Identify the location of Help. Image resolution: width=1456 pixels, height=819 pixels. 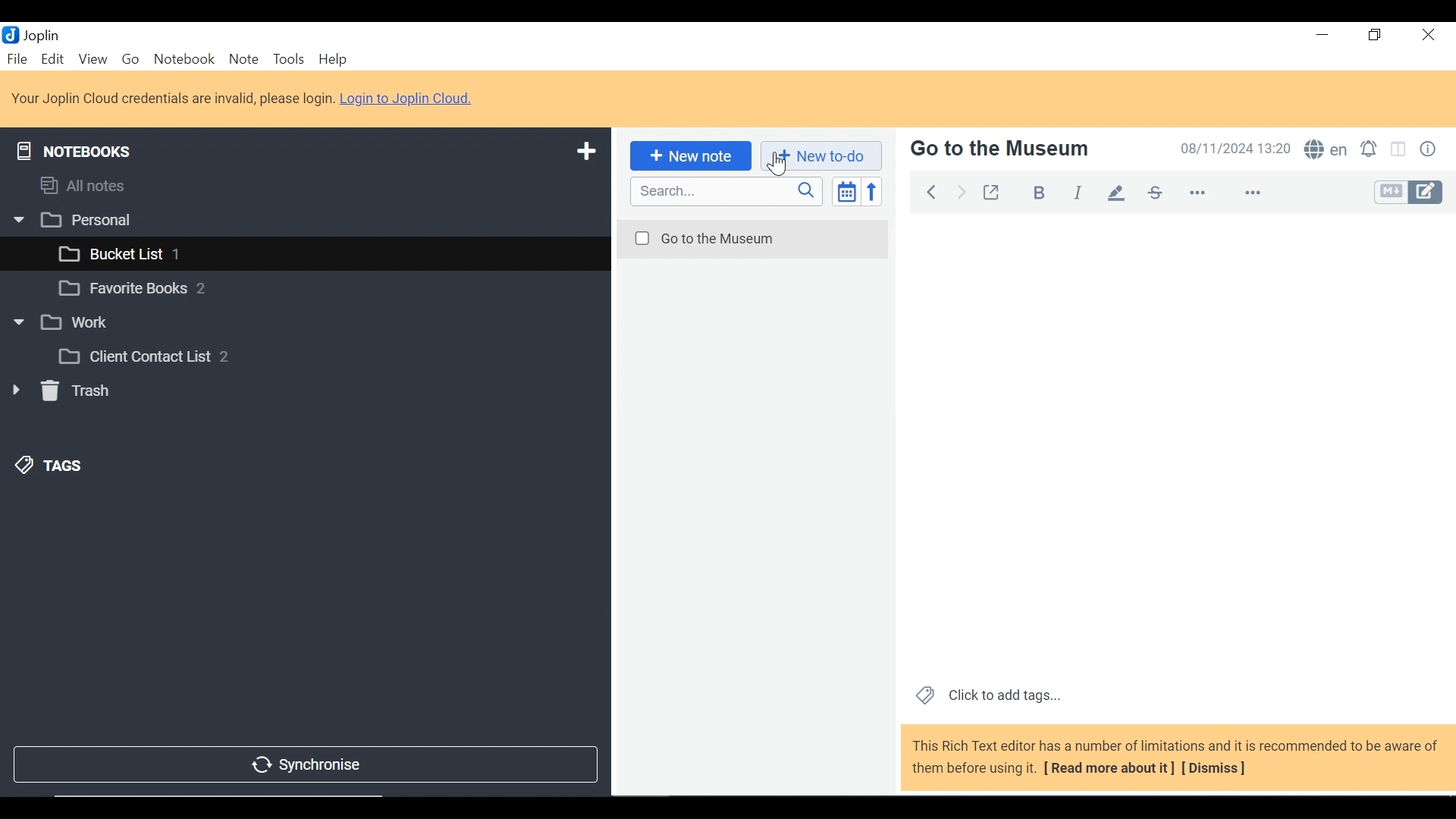
(333, 60).